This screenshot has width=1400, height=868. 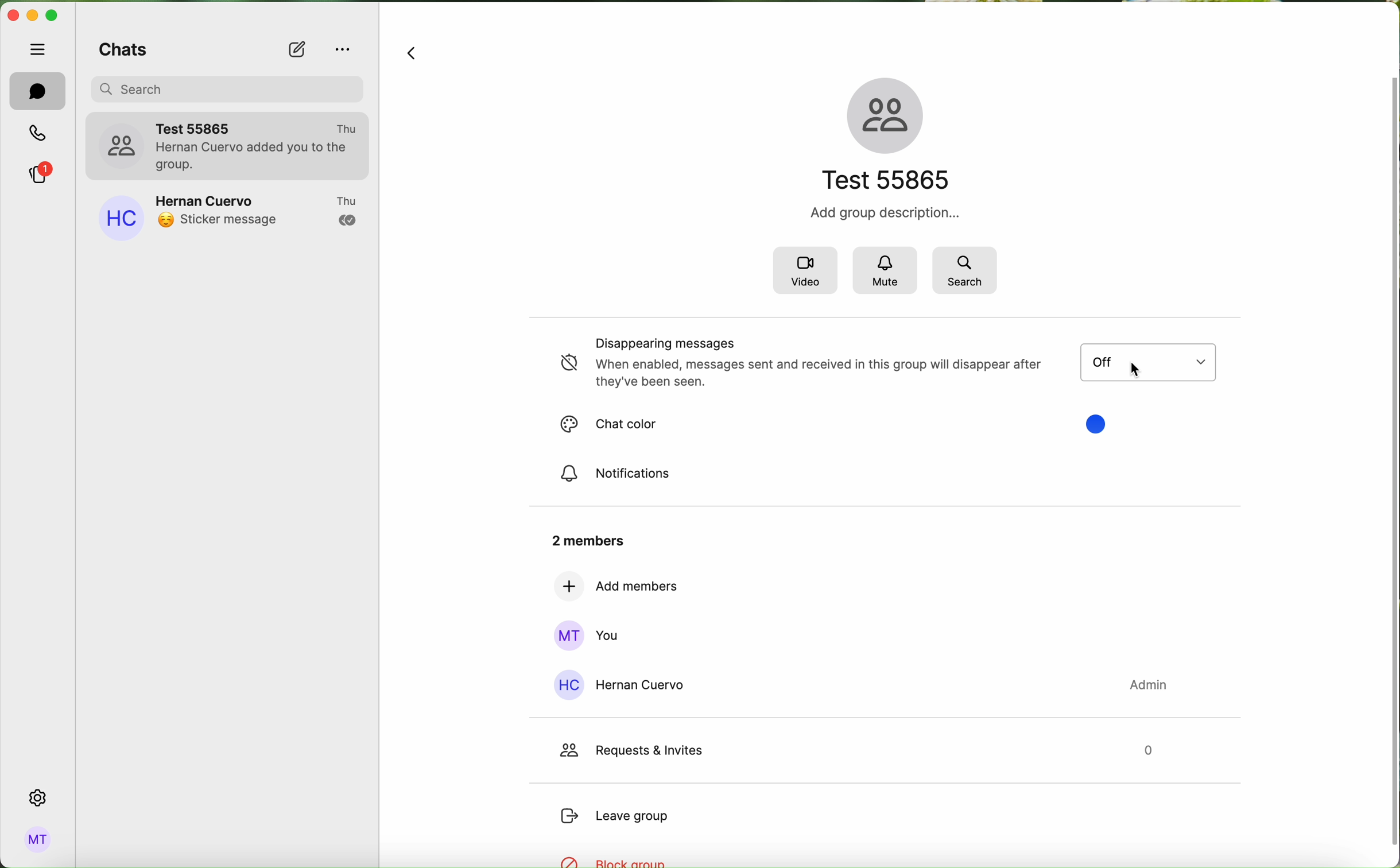 What do you see at coordinates (38, 841) in the screenshot?
I see `profile` at bounding box center [38, 841].